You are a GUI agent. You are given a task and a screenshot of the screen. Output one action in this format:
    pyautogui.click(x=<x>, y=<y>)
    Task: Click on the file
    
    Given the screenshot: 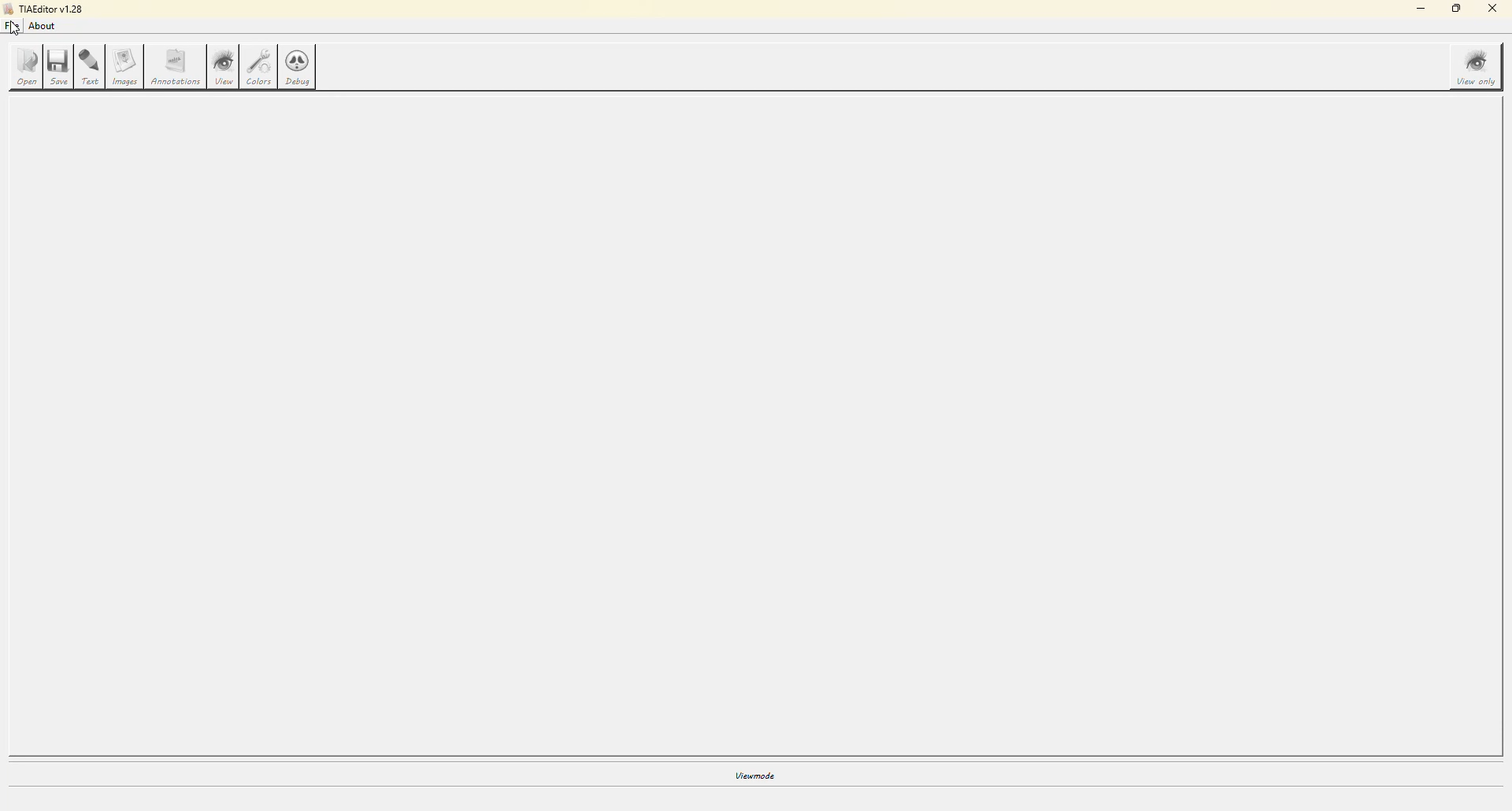 What is the action you would take?
    pyautogui.click(x=13, y=26)
    